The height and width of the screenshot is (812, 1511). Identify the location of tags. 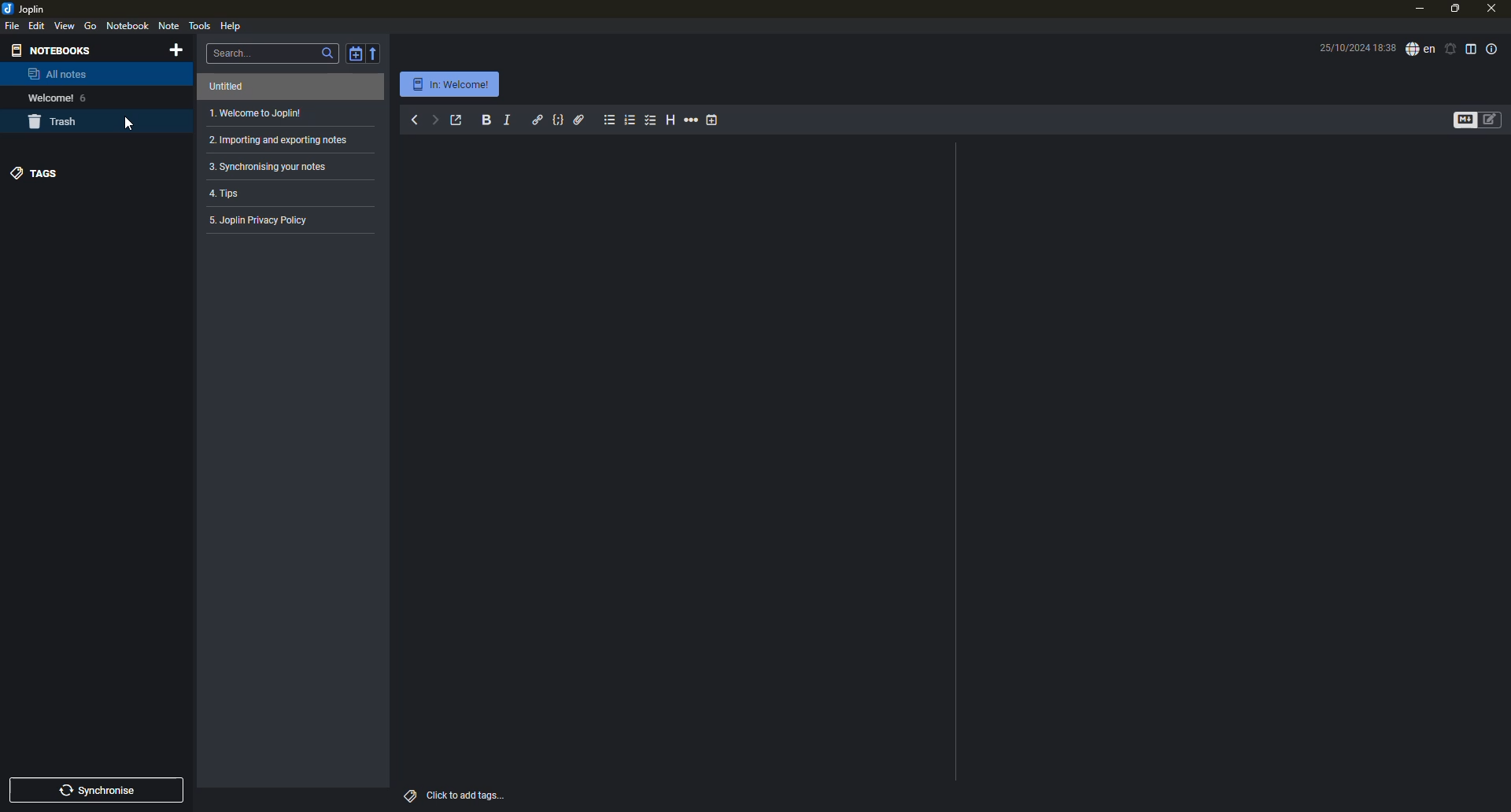
(38, 172).